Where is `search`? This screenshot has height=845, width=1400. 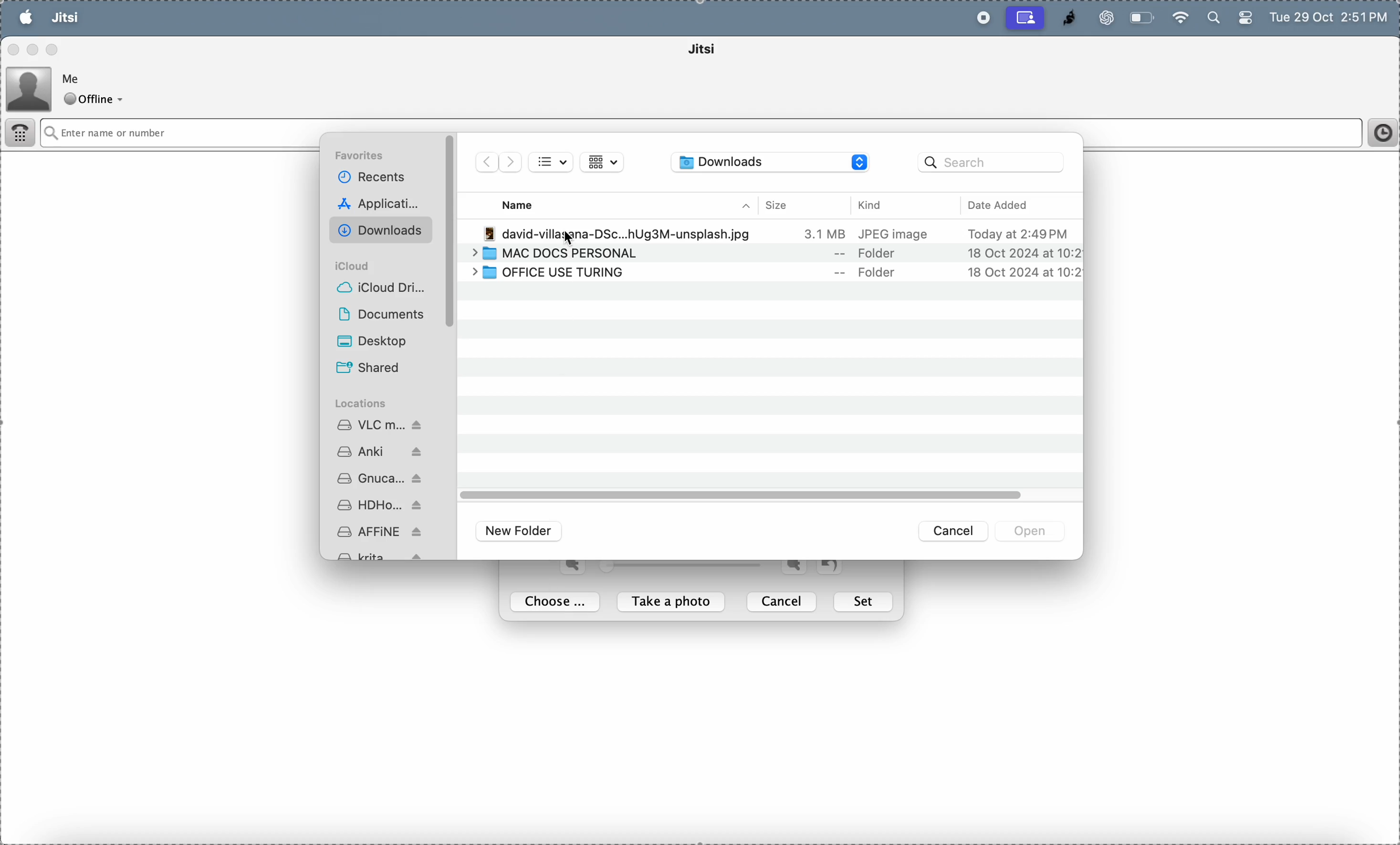
search is located at coordinates (1212, 19).